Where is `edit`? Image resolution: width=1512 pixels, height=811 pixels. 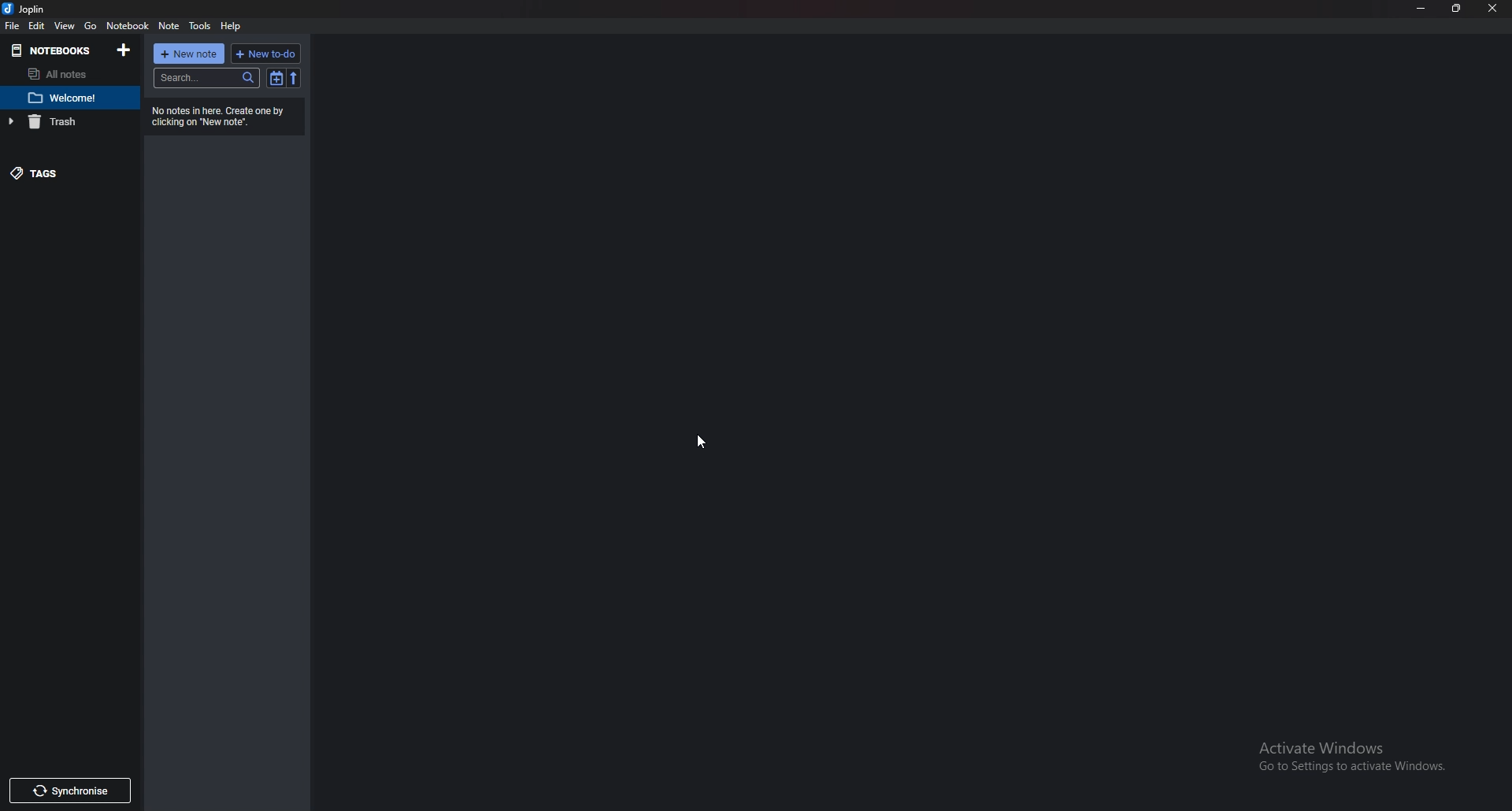 edit is located at coordinates (38, 25).